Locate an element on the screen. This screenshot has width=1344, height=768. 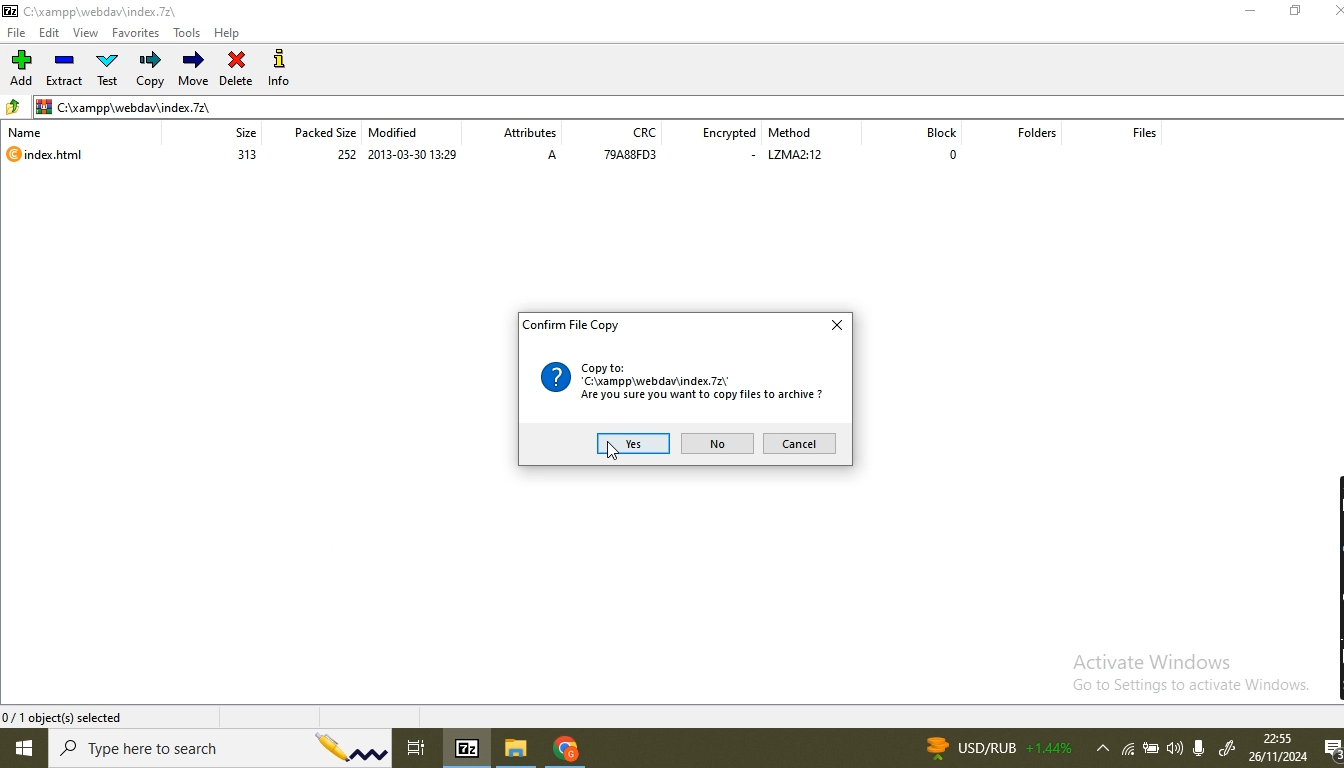
attributes is located at coordinates (536, 130).